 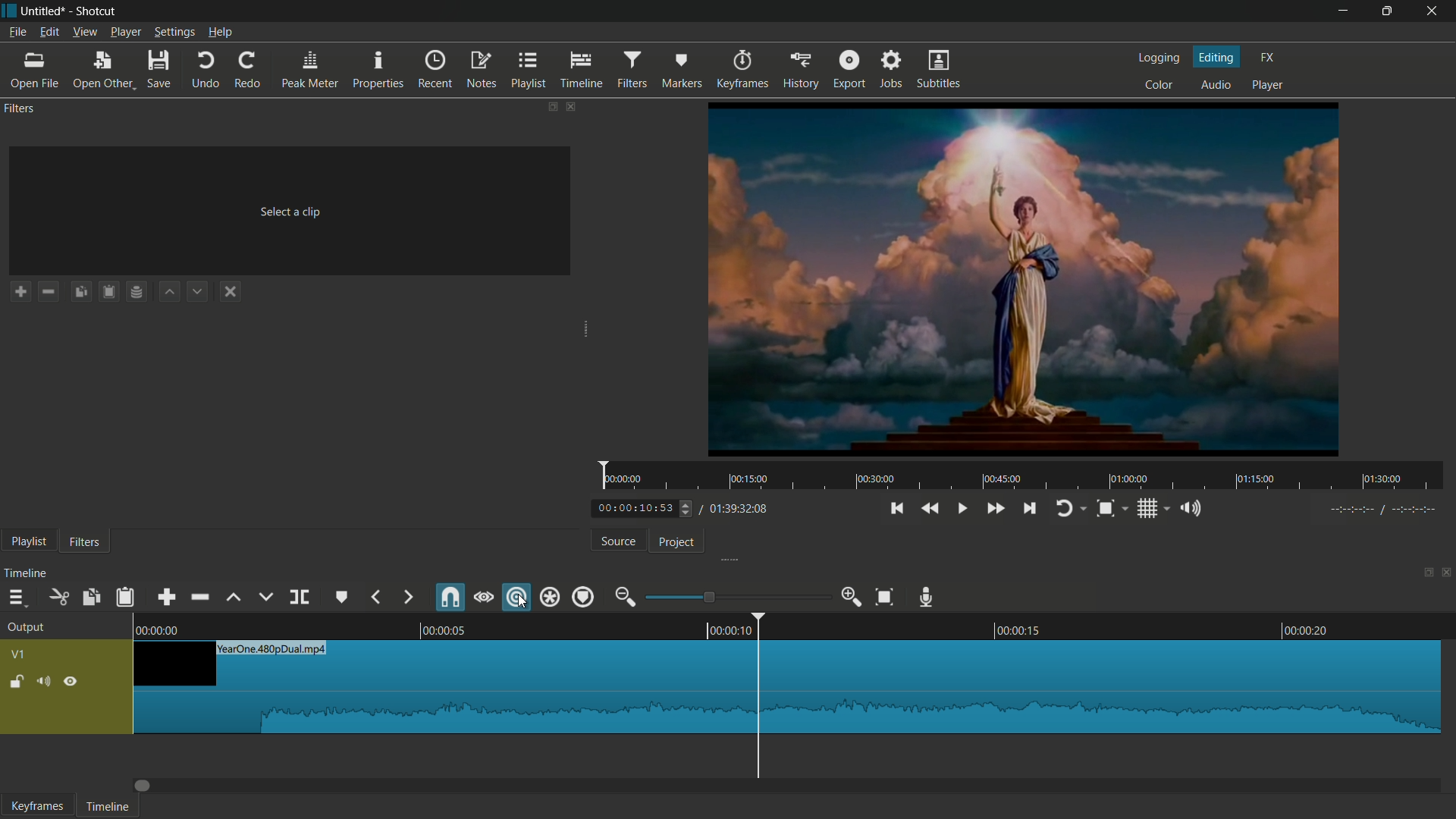 I want to click on video in timeline, so click(x=788, y=688).